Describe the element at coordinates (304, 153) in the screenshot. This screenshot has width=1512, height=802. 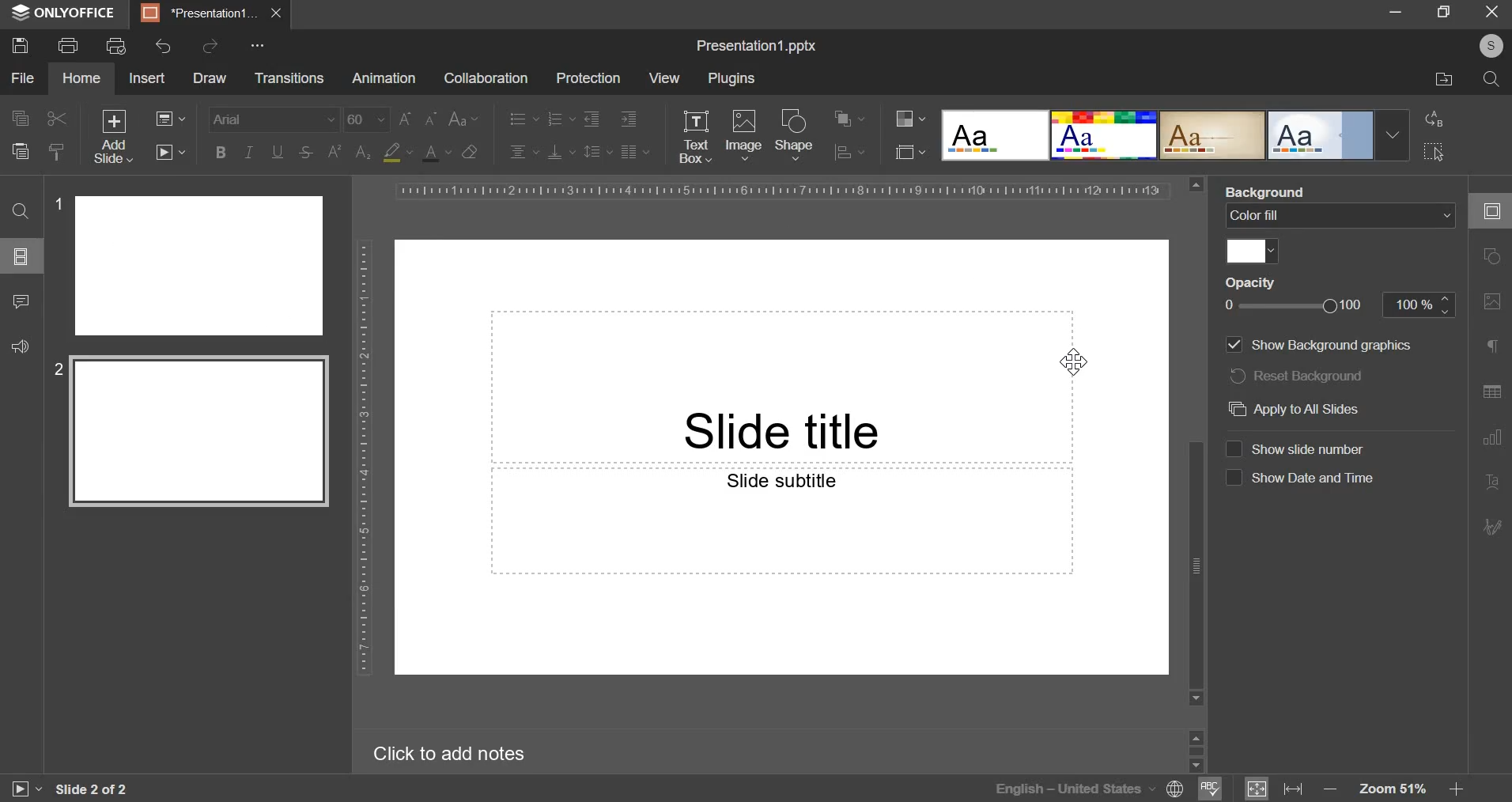
I see `strikethrough` at that location.